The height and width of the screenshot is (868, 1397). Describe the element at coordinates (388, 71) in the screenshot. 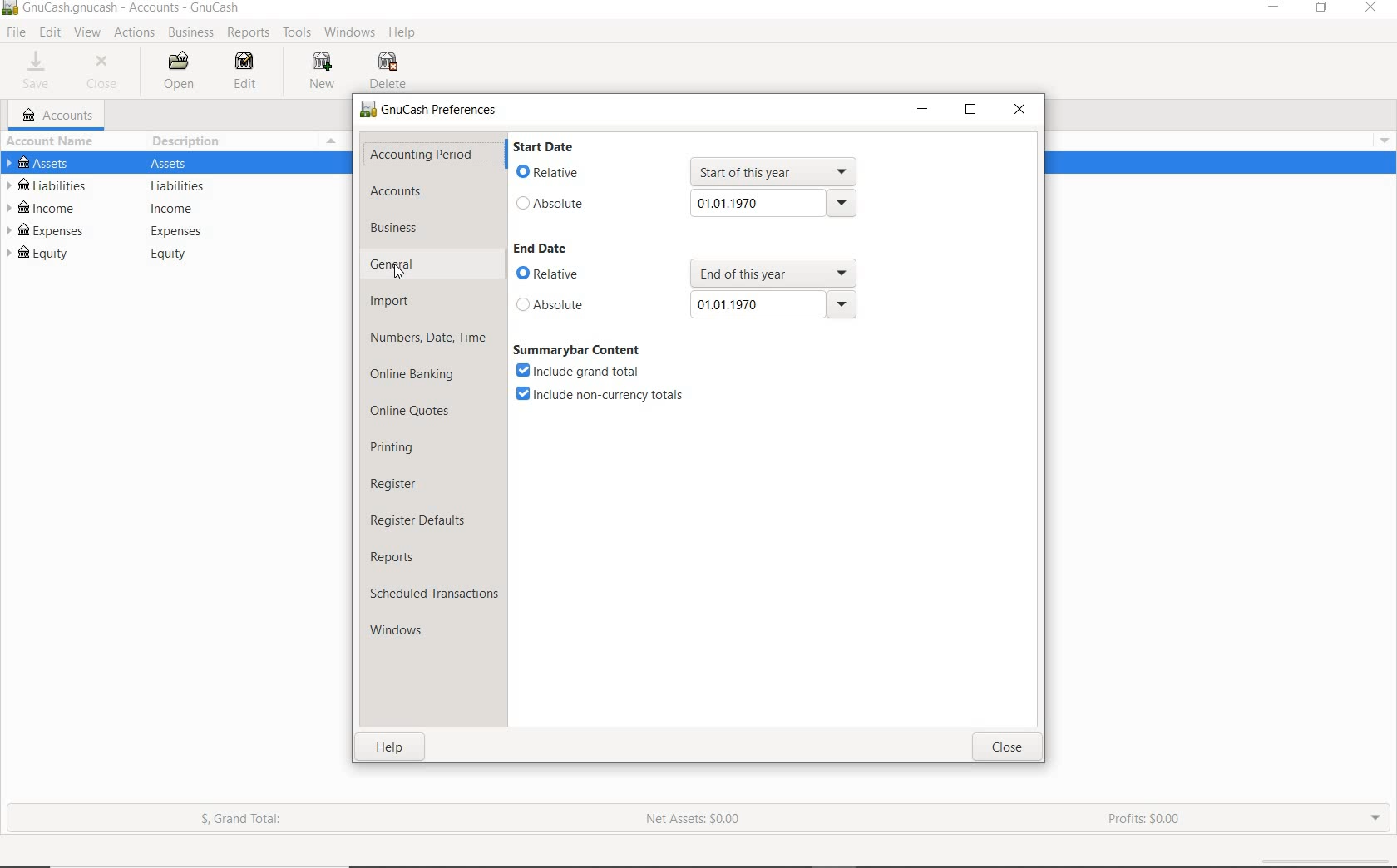

I see `DELETE` at that location.